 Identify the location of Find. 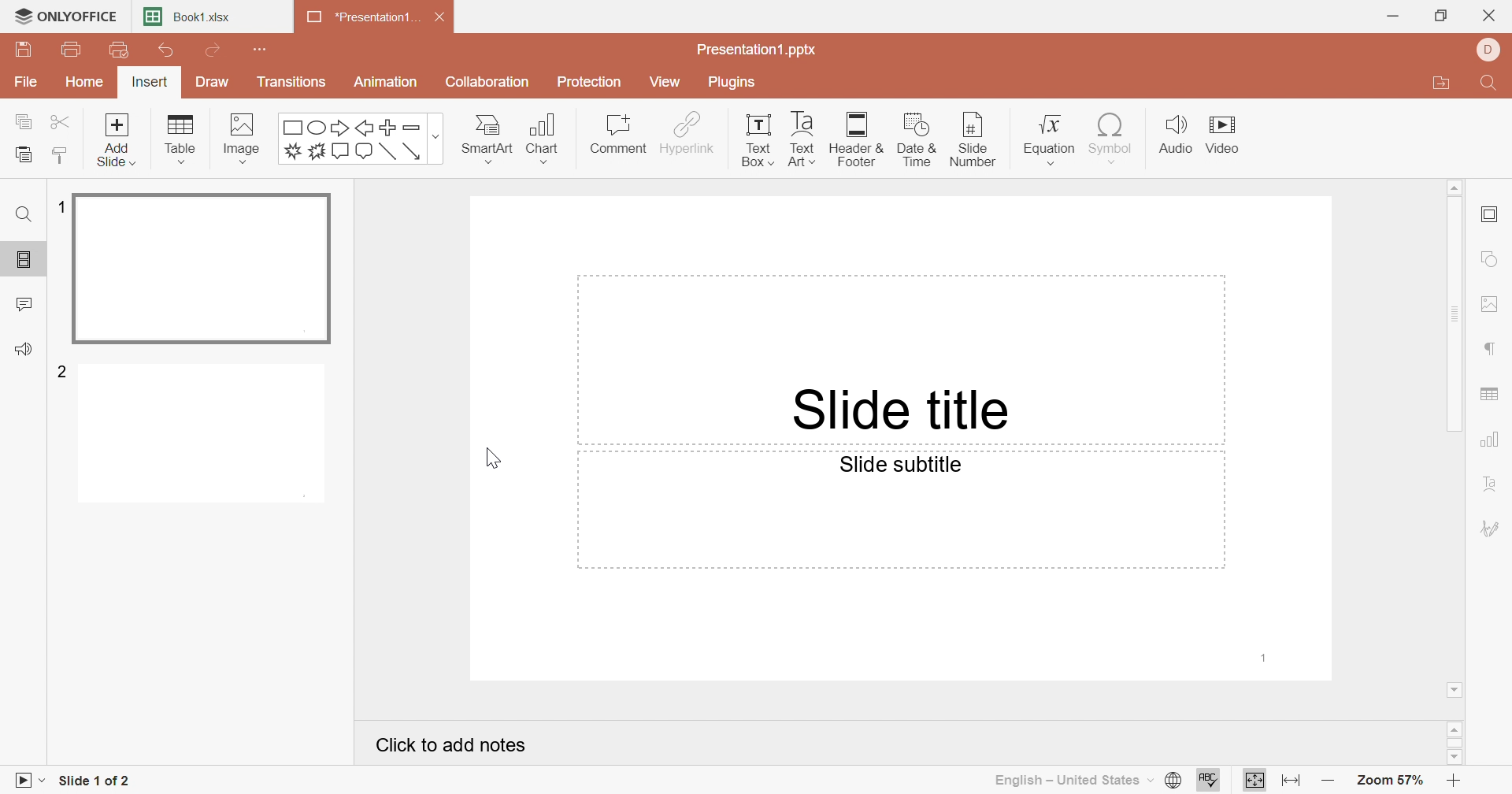
(1486, 86).